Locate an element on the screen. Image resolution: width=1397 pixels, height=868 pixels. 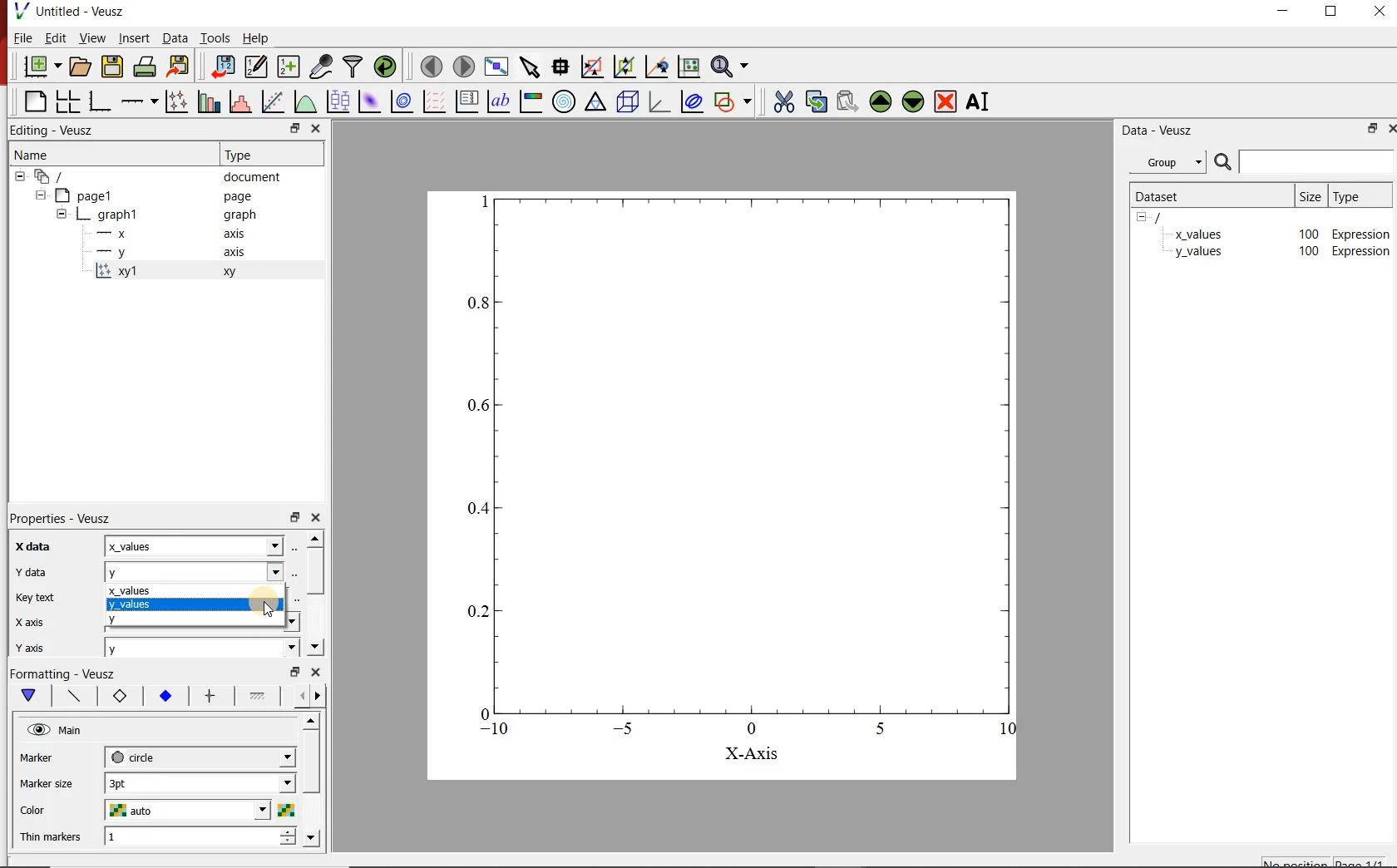
auto is located at coordinates (185, 809).